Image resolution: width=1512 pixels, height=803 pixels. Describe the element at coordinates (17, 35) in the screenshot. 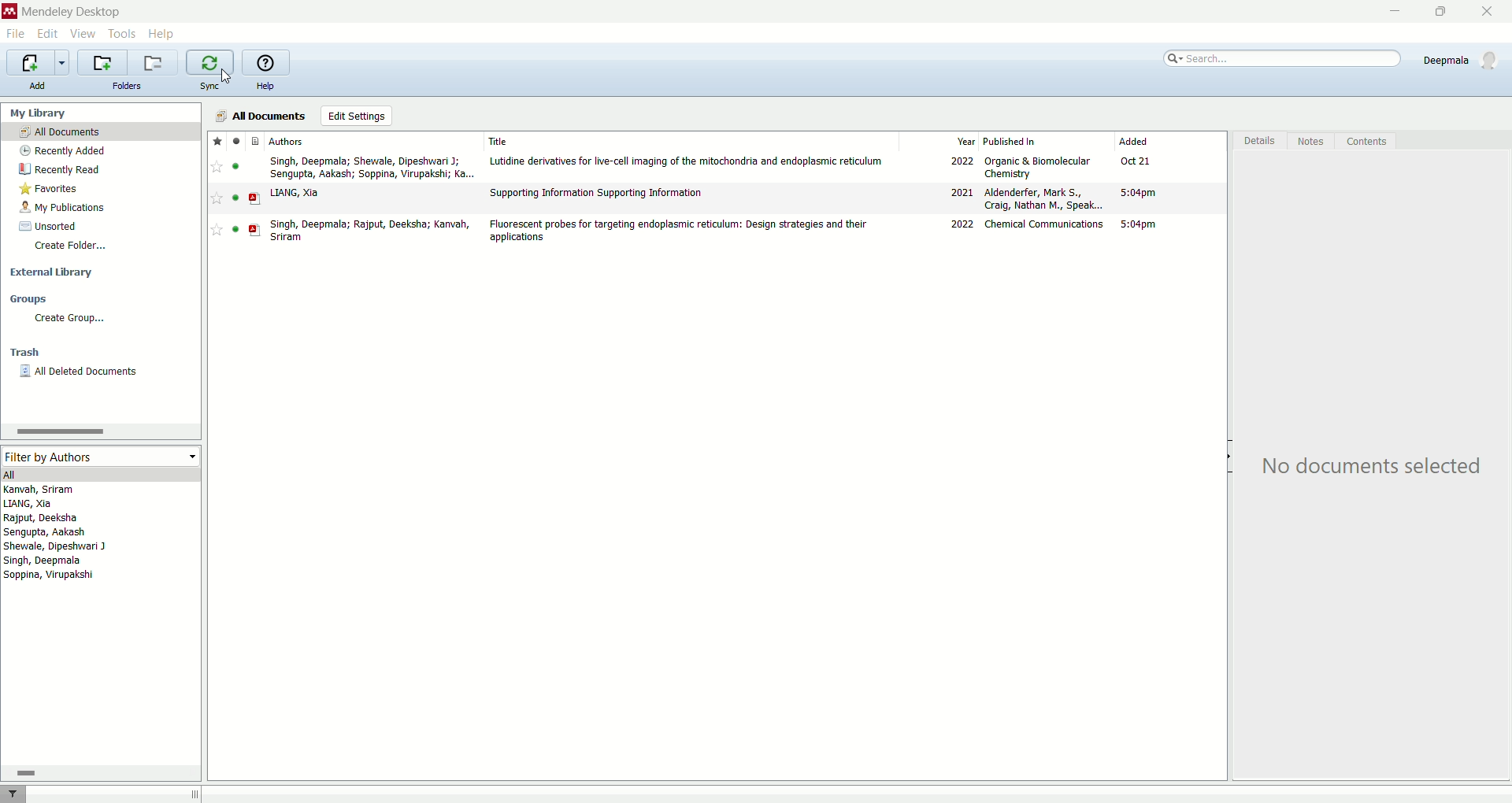

I see `file` at that location.